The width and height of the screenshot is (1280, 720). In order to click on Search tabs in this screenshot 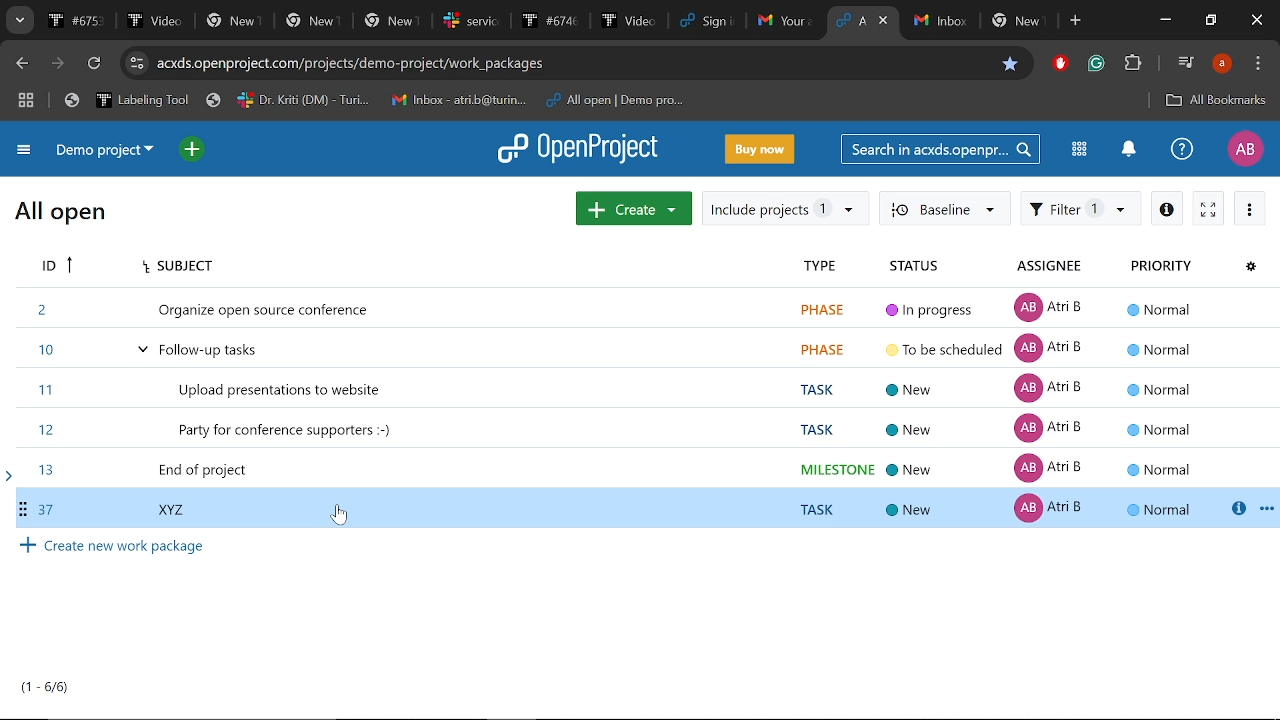, I will do `click(850, 20)`.